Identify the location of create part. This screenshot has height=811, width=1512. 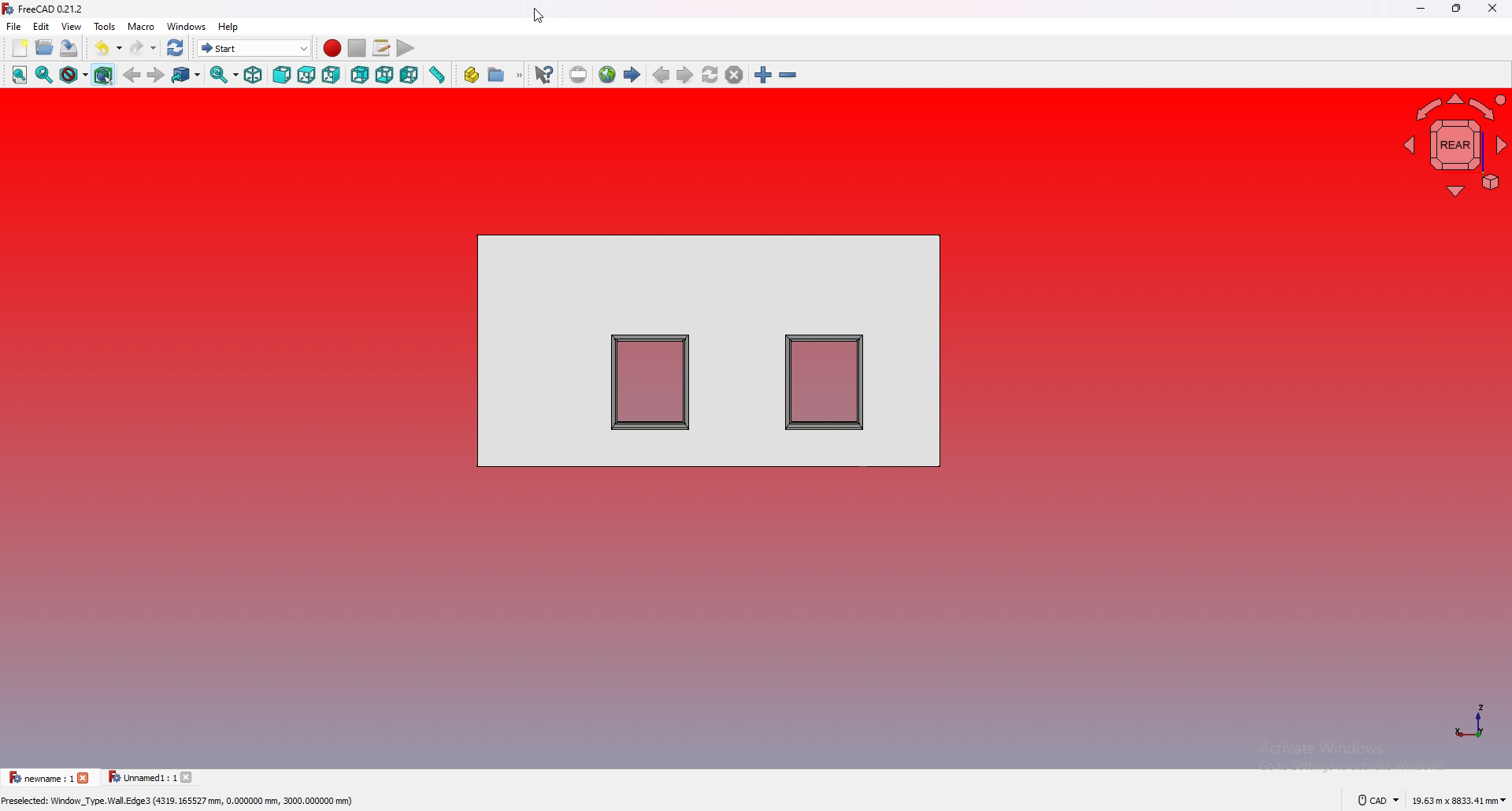
(471, 74).